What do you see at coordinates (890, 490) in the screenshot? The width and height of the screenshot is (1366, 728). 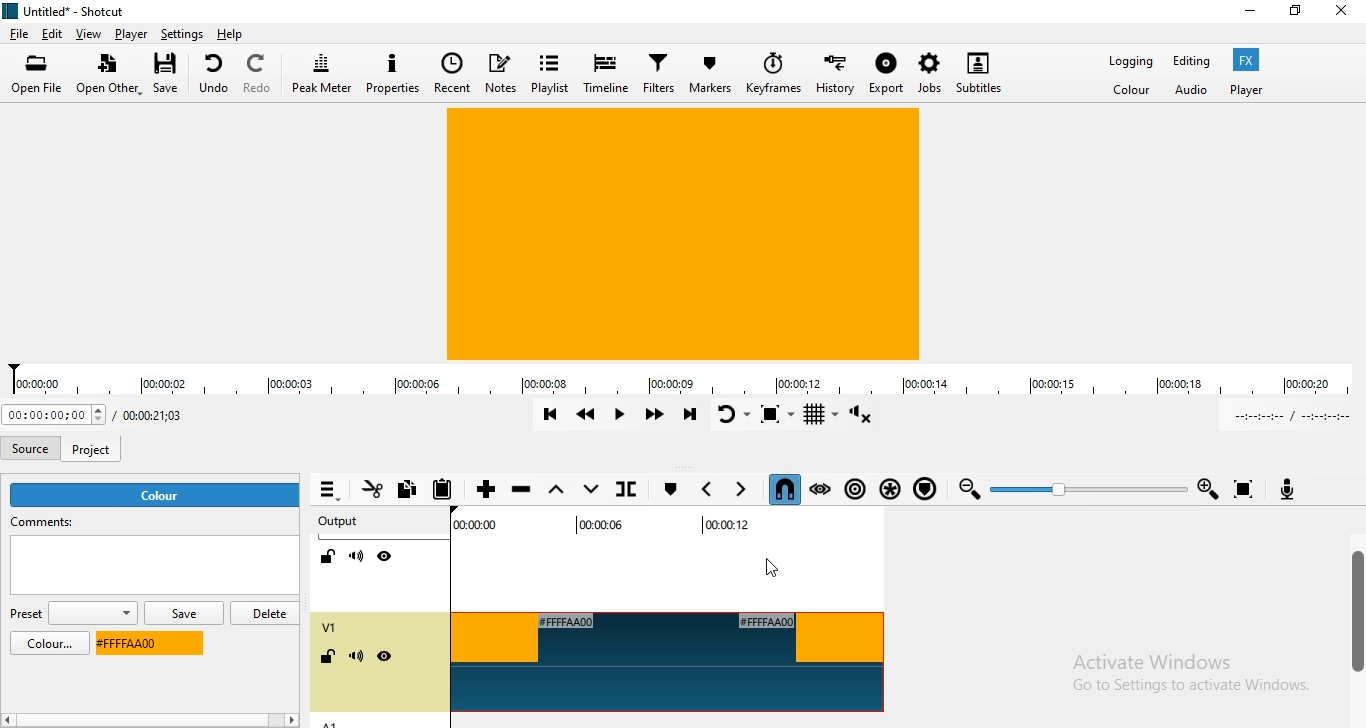 I see `Ripple all tracks` at bounding box center [890, 490].